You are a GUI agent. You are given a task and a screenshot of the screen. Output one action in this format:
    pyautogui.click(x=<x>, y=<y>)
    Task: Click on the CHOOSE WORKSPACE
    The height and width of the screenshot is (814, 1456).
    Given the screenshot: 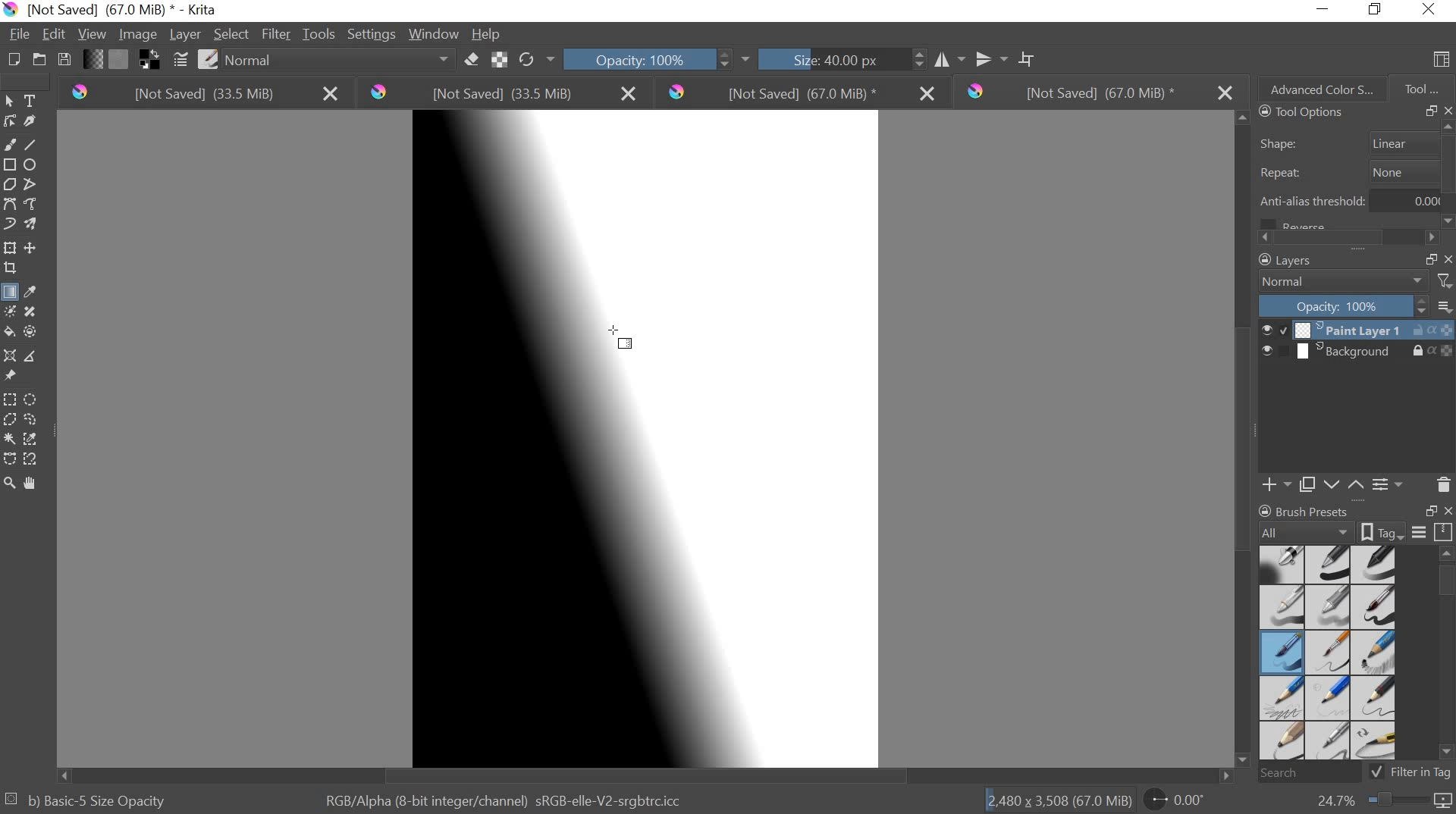 What is the action you would take?
    pyautogui.click(x=1442, y=61)
    